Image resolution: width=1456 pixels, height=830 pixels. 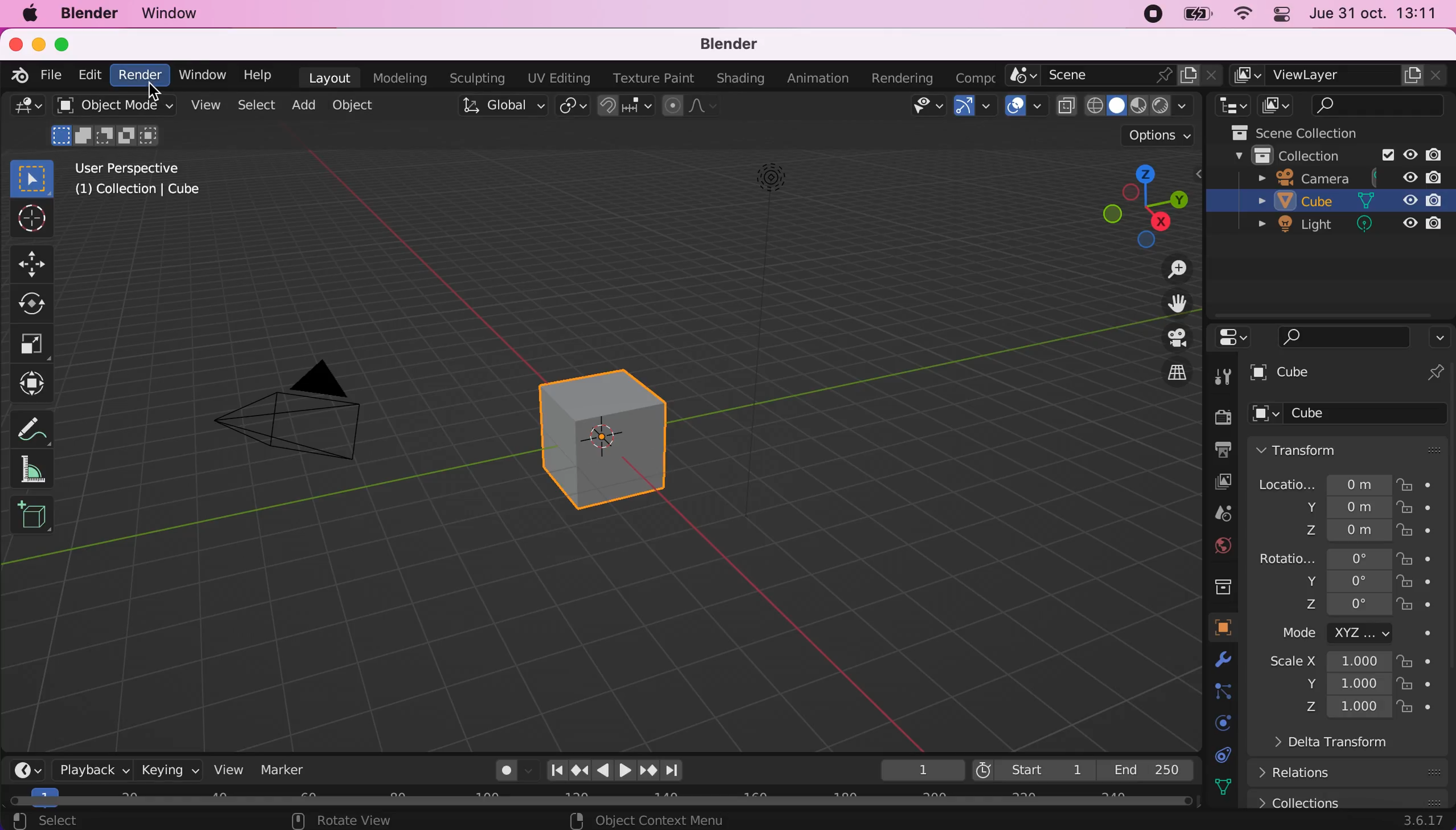 What do you see at coordinates (1323, 557) in the screenshot?
I see `rotation` at bounding box center [1323, 557].